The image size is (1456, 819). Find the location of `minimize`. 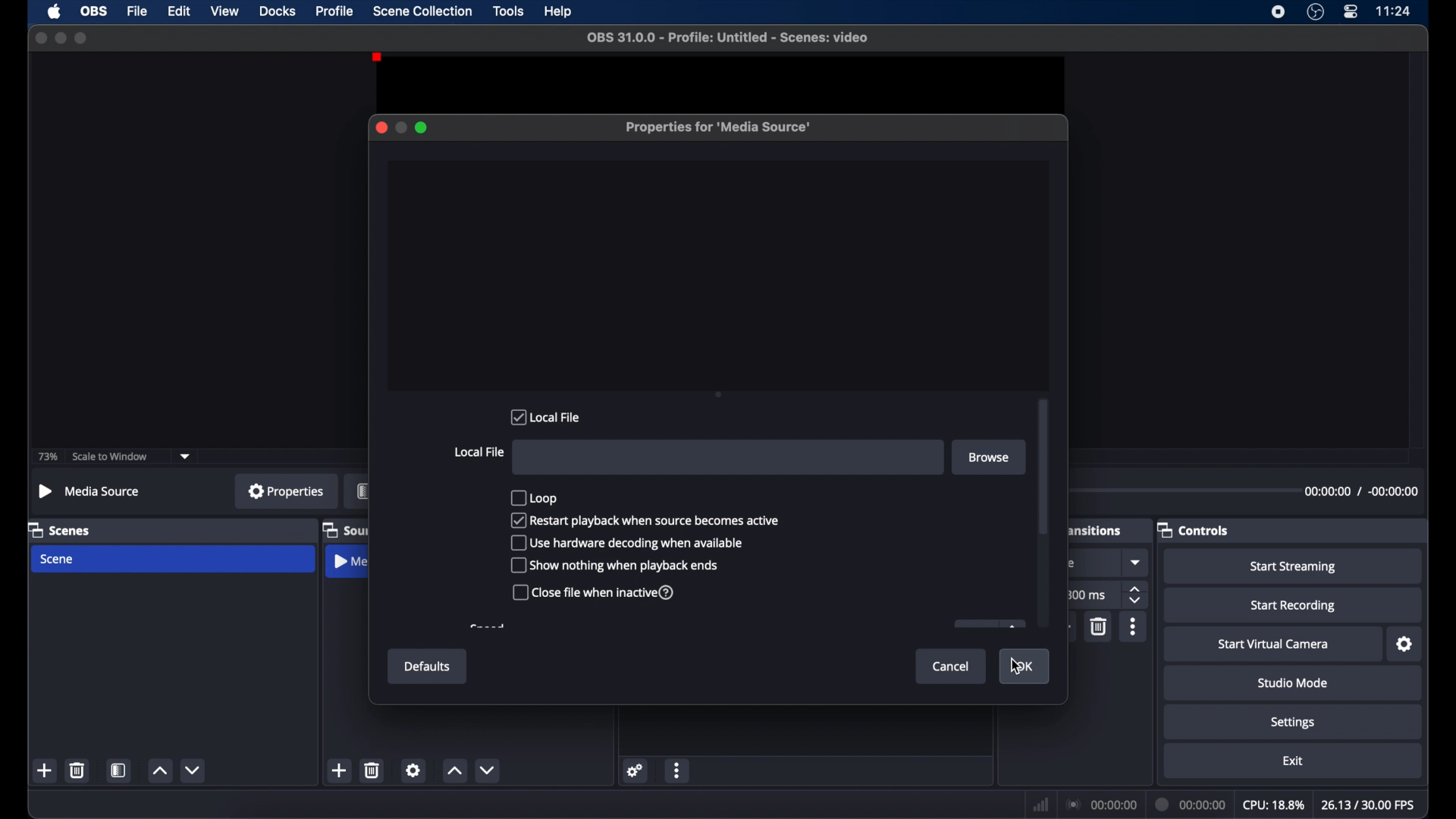

minimize is located at coordinates (60, 38).